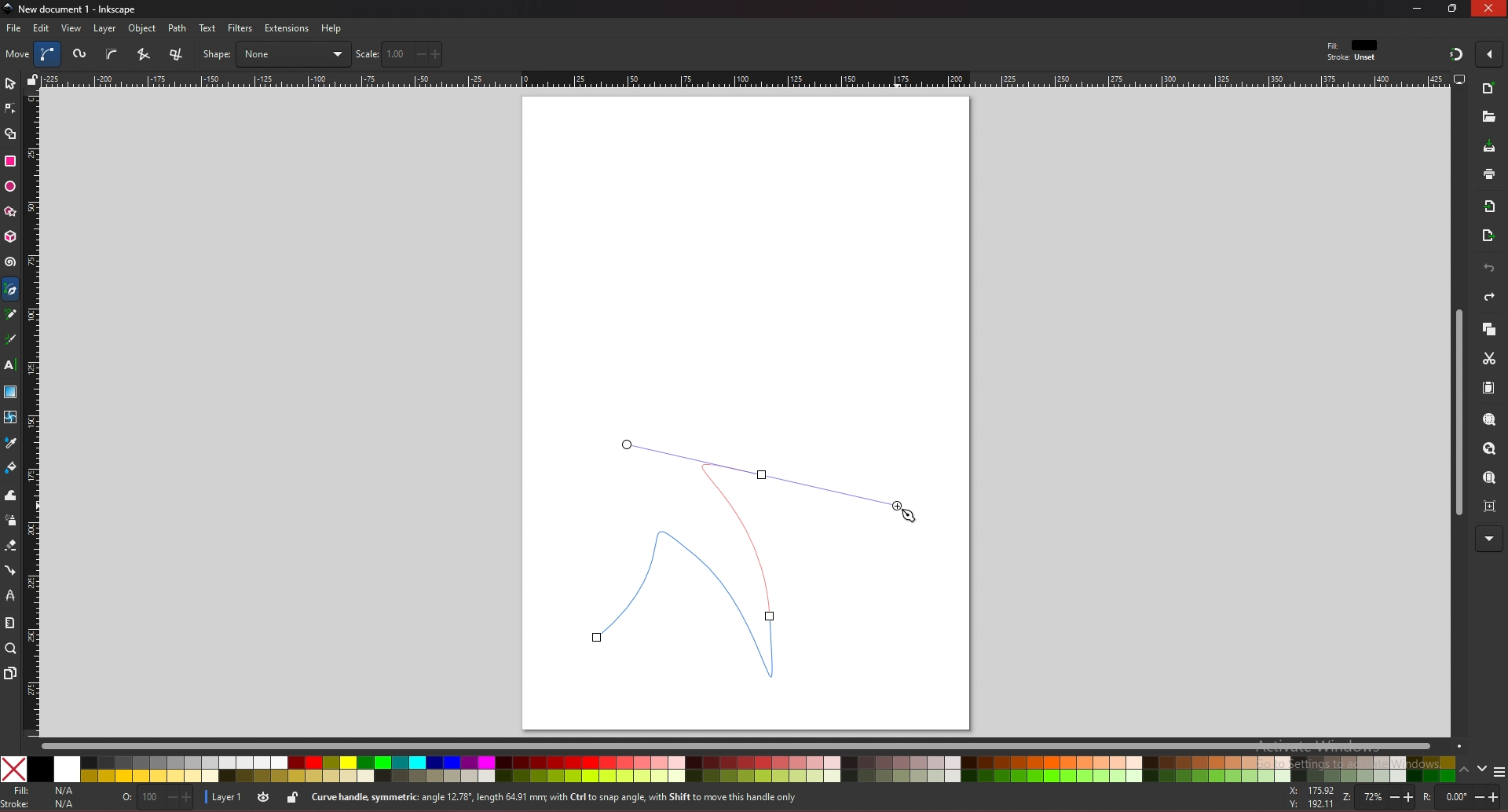  Describe the element at coordinates (11, 134) in the screenshot. I see `shape builder` at that location.